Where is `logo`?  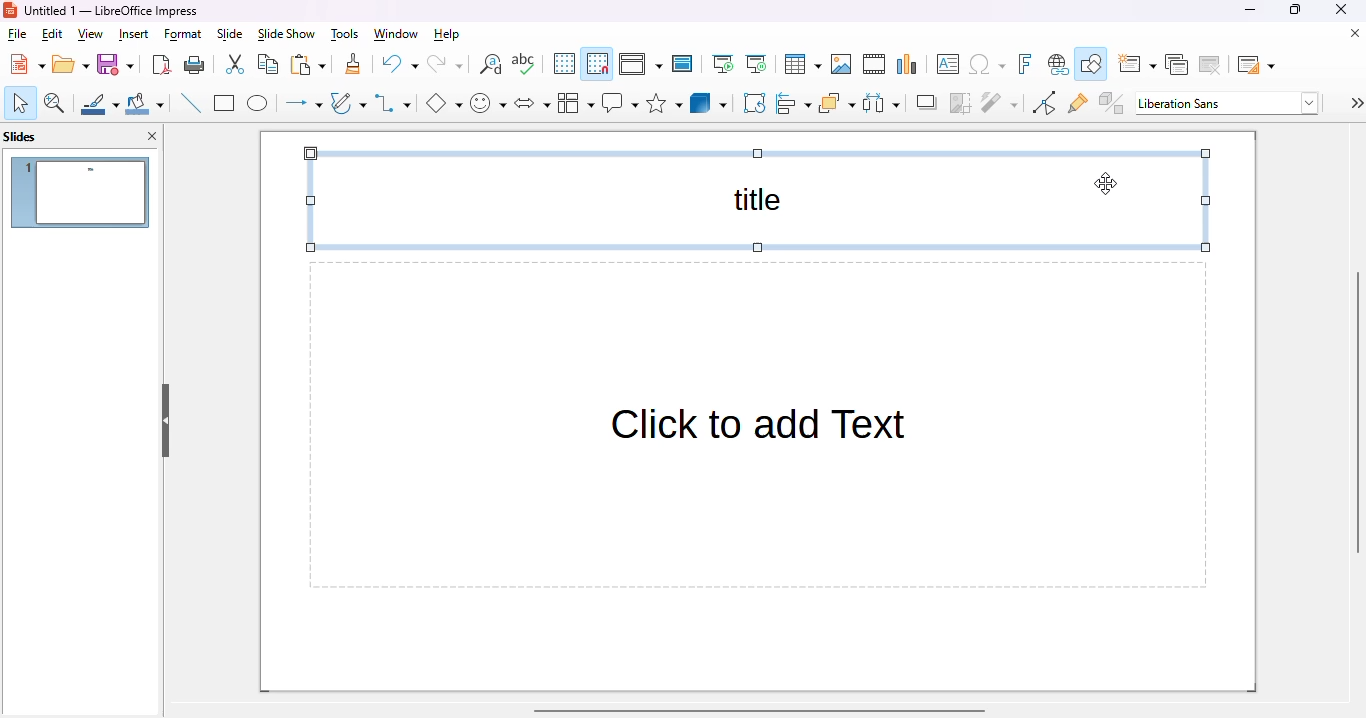 logo is located at coordinates (10, 11).